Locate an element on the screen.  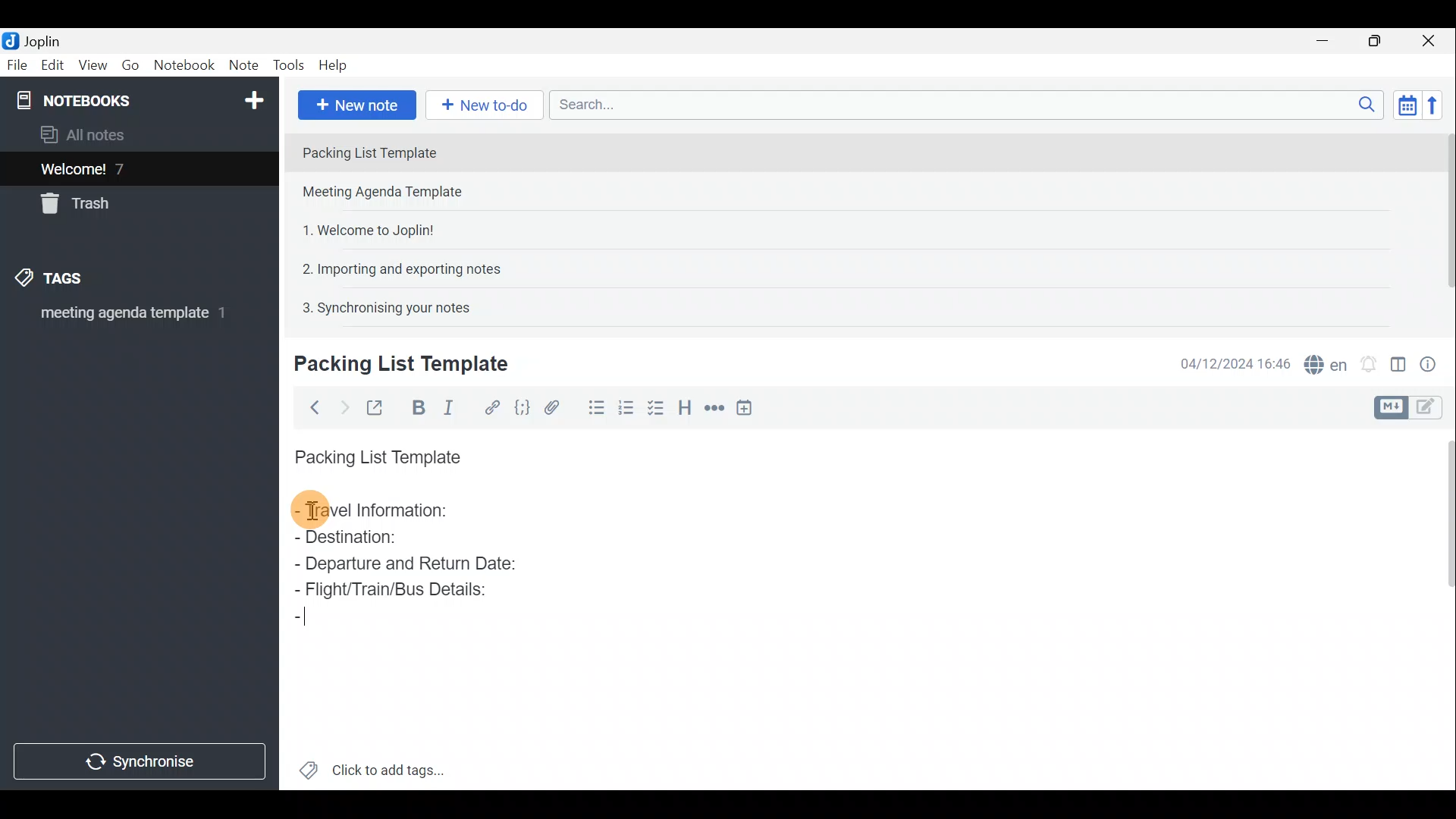
Tools is located at coordinates (290, 66).